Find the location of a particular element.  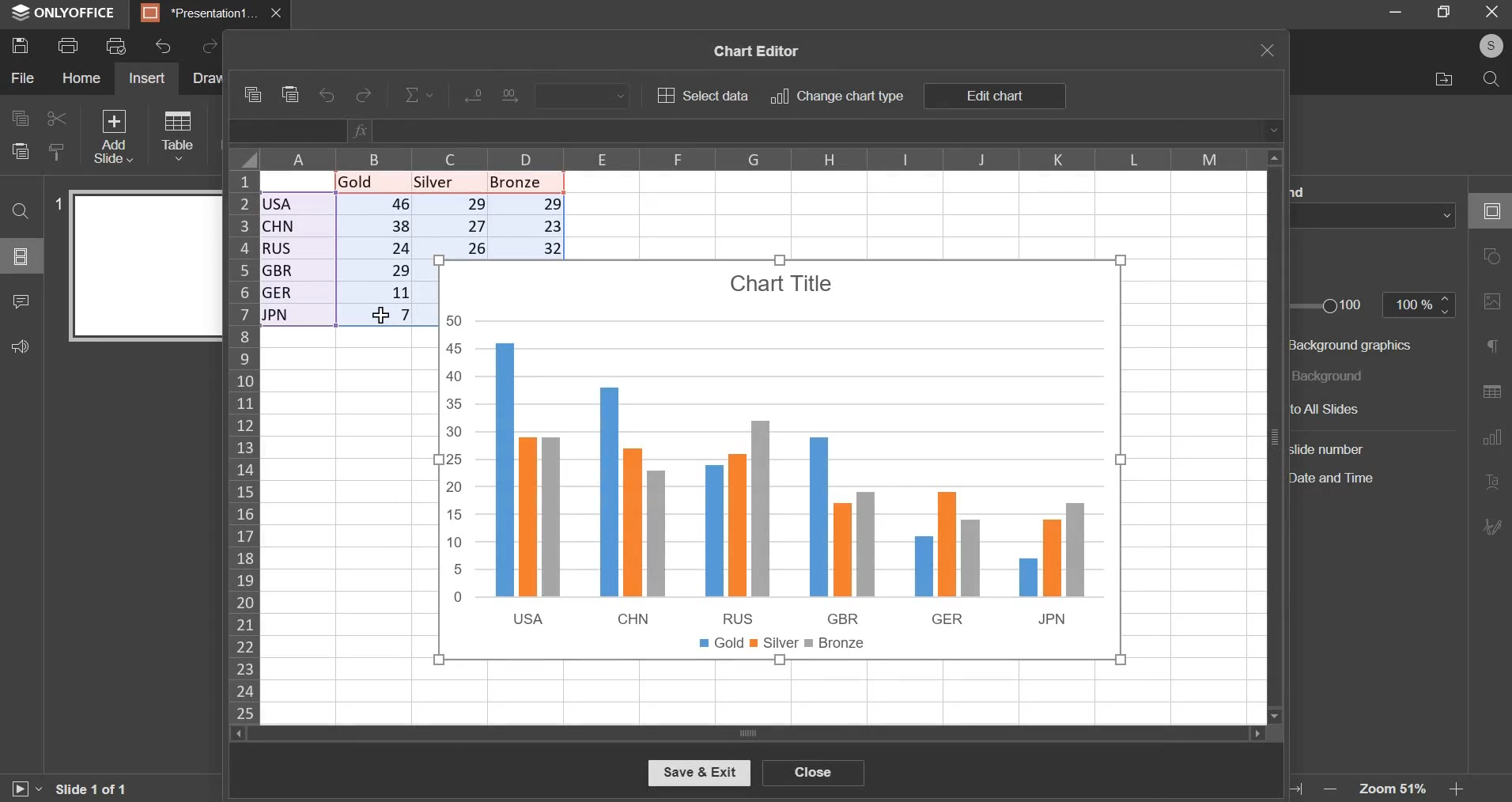

zoom level is located at coordinates (1392, 789).